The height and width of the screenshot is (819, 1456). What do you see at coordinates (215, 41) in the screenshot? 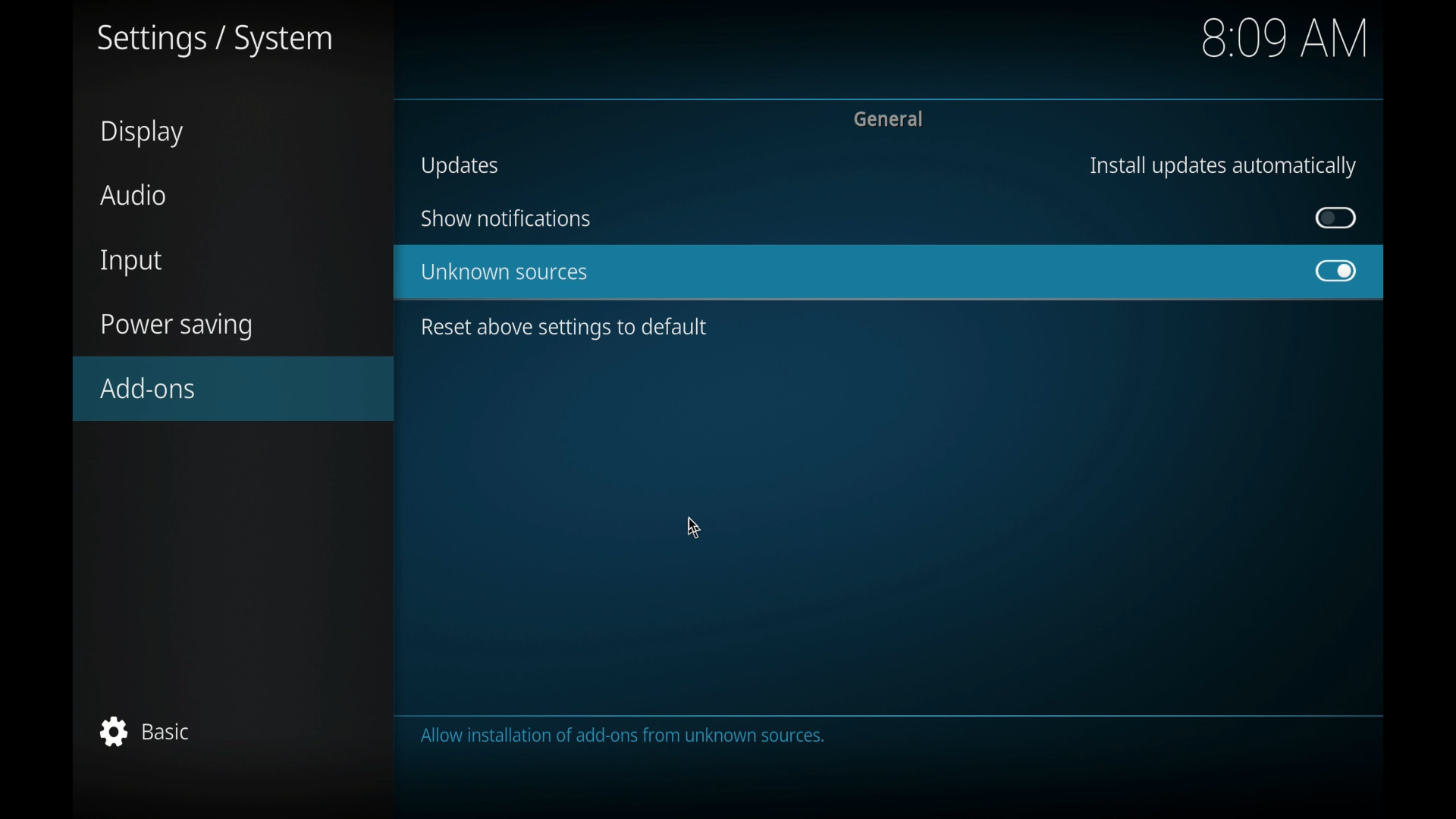
I see `settings/system` at bounding box center [215, 41].